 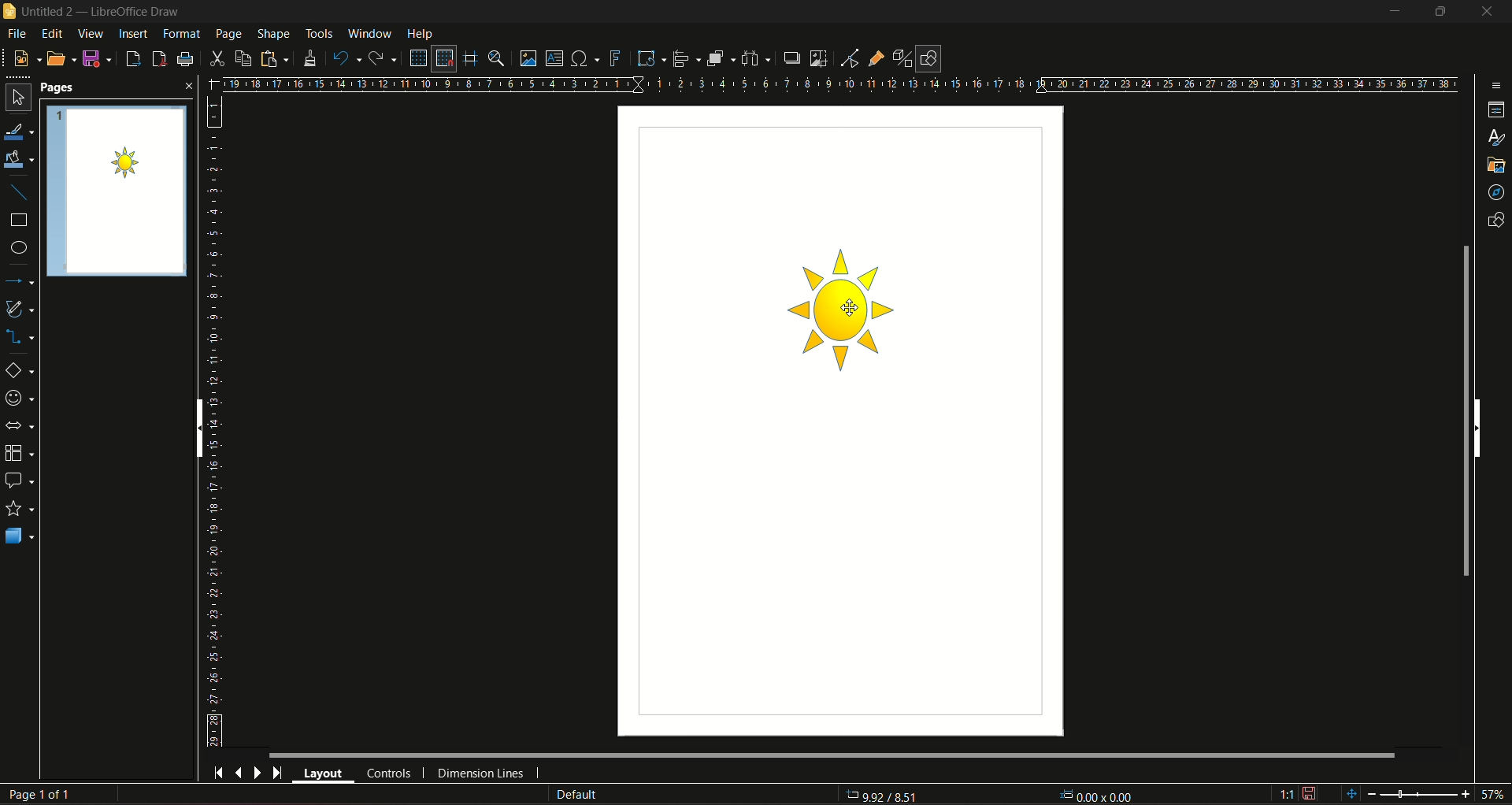 I want to click on connectors, so click(x=20, y=337).